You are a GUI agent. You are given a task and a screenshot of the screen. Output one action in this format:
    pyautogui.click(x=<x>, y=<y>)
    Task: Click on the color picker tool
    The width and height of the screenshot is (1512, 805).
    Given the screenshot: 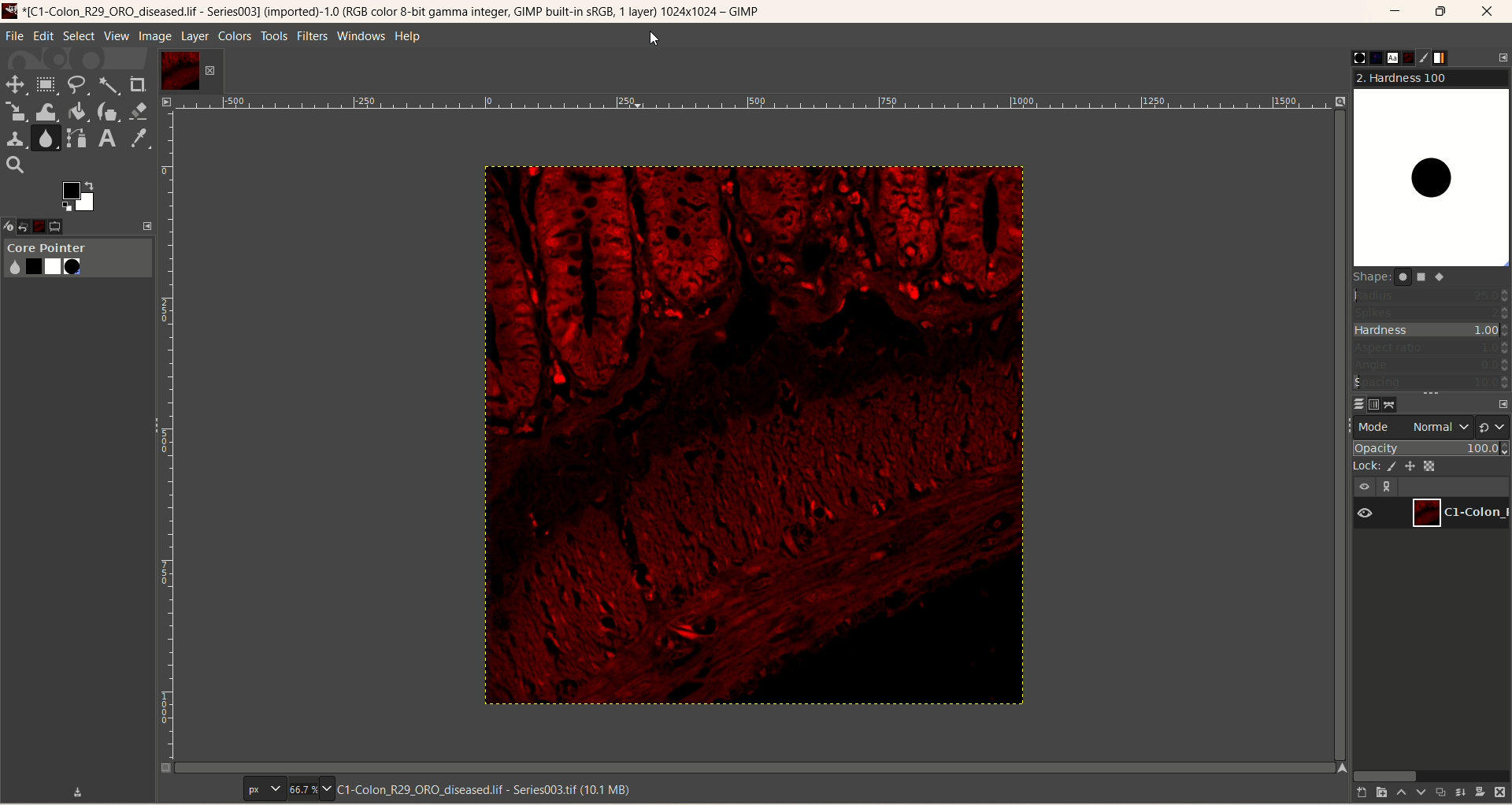 What is the action you would take?
    pyautogui.click(x=139, y=139)
    